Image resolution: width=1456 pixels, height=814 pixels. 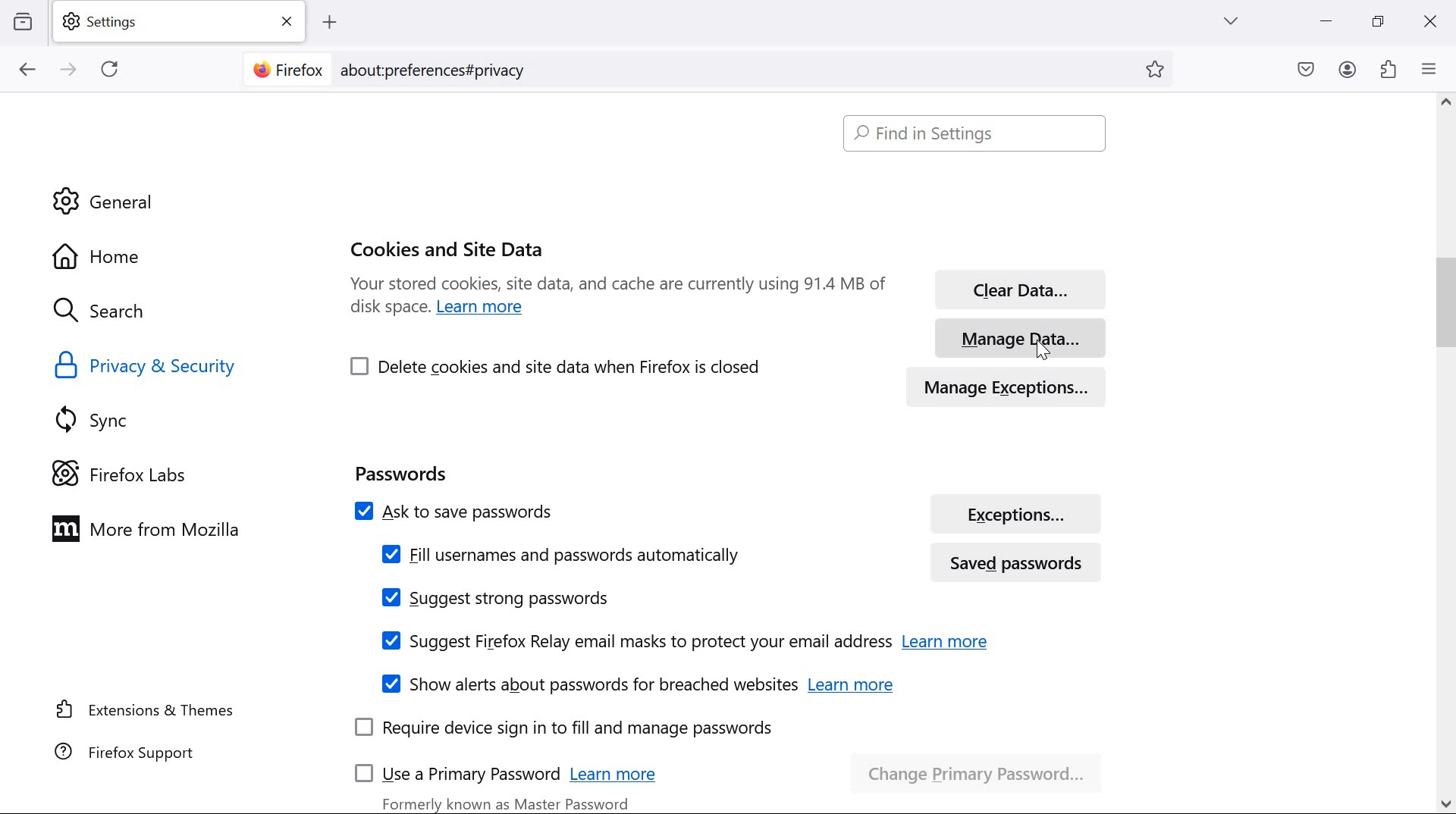 I want to click on General, so click(x=108, y=201).